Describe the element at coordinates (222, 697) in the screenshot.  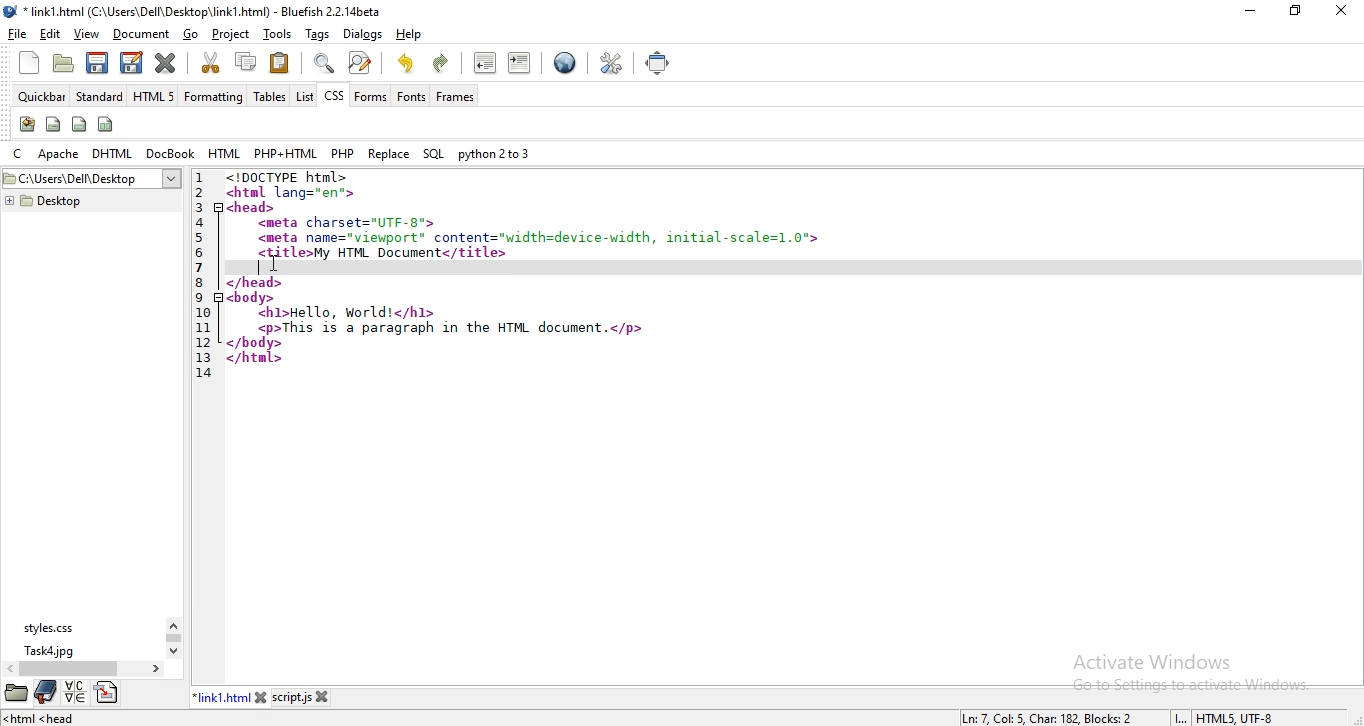
I see `link1` at that location.